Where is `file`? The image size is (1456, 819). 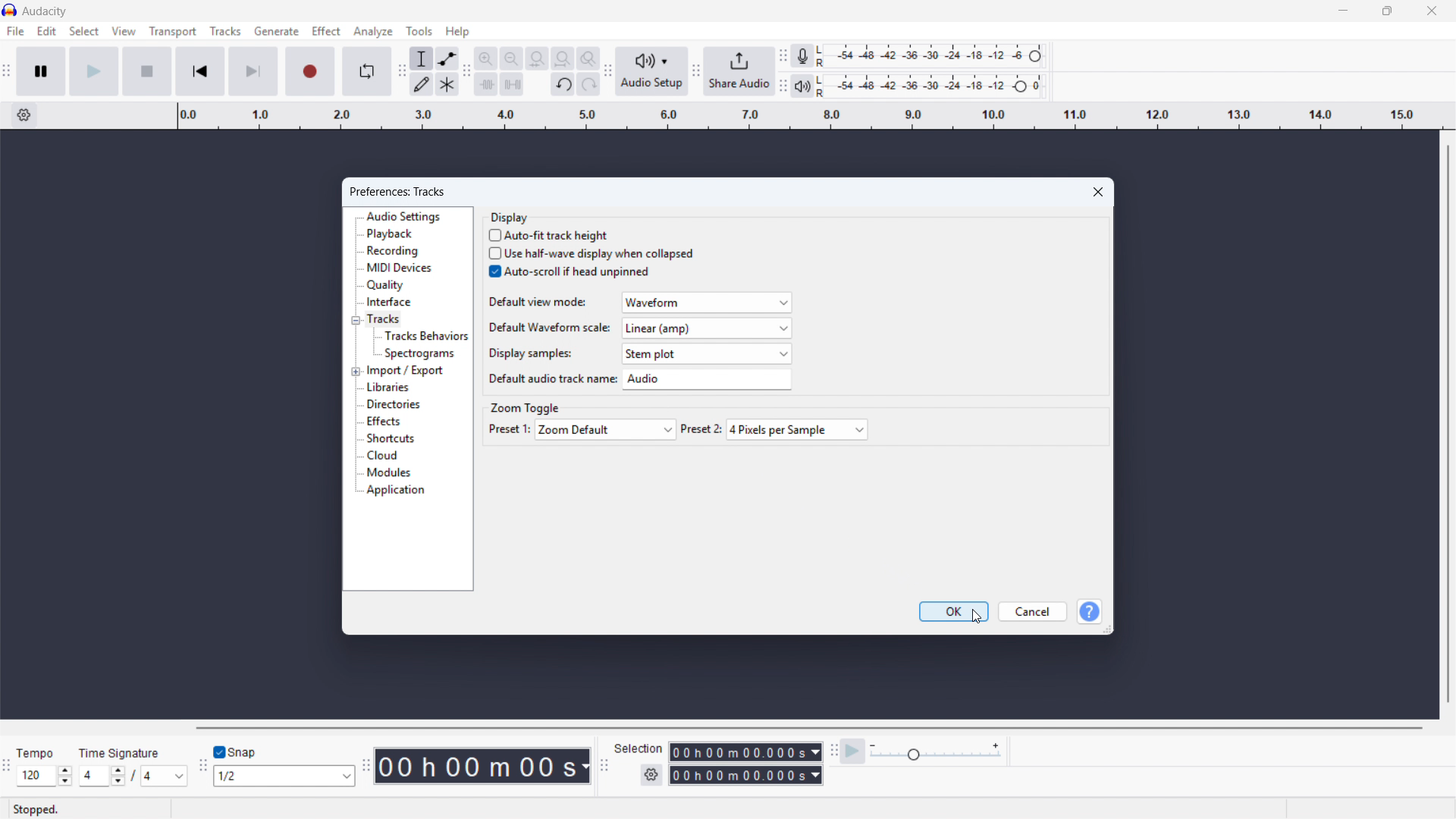 file is located at coordinates (16, 31).